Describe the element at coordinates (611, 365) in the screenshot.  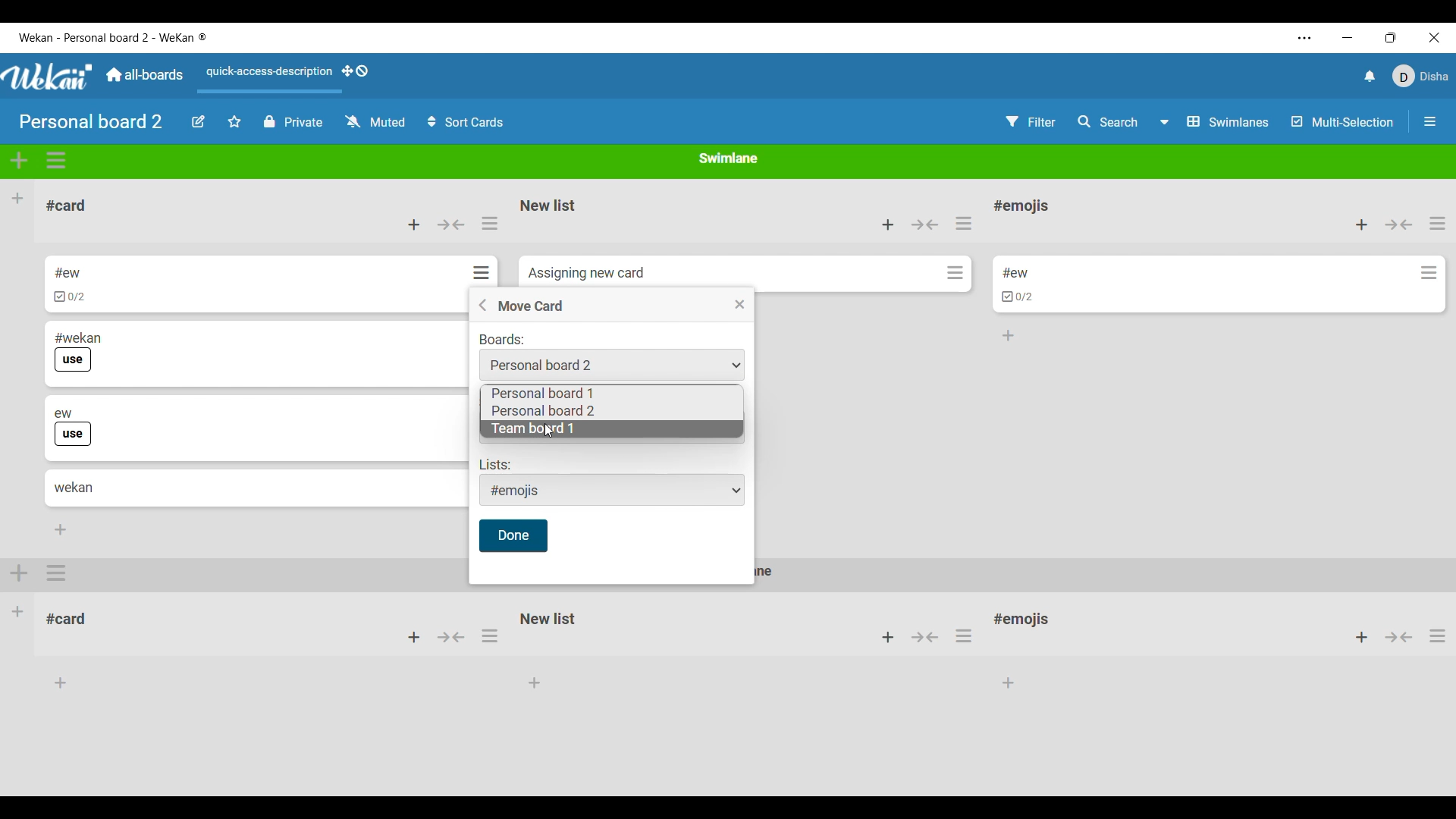
I see `Board options` at that location.